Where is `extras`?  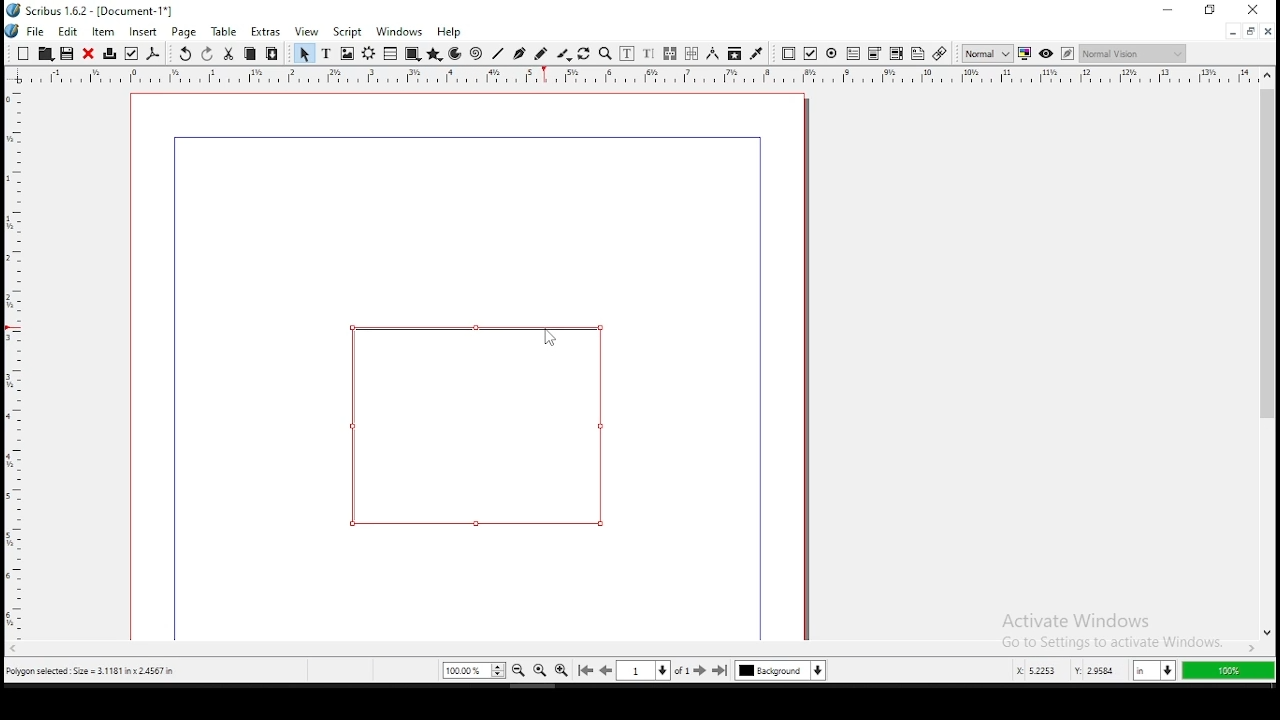
extras is located at coordinates (265, 32).